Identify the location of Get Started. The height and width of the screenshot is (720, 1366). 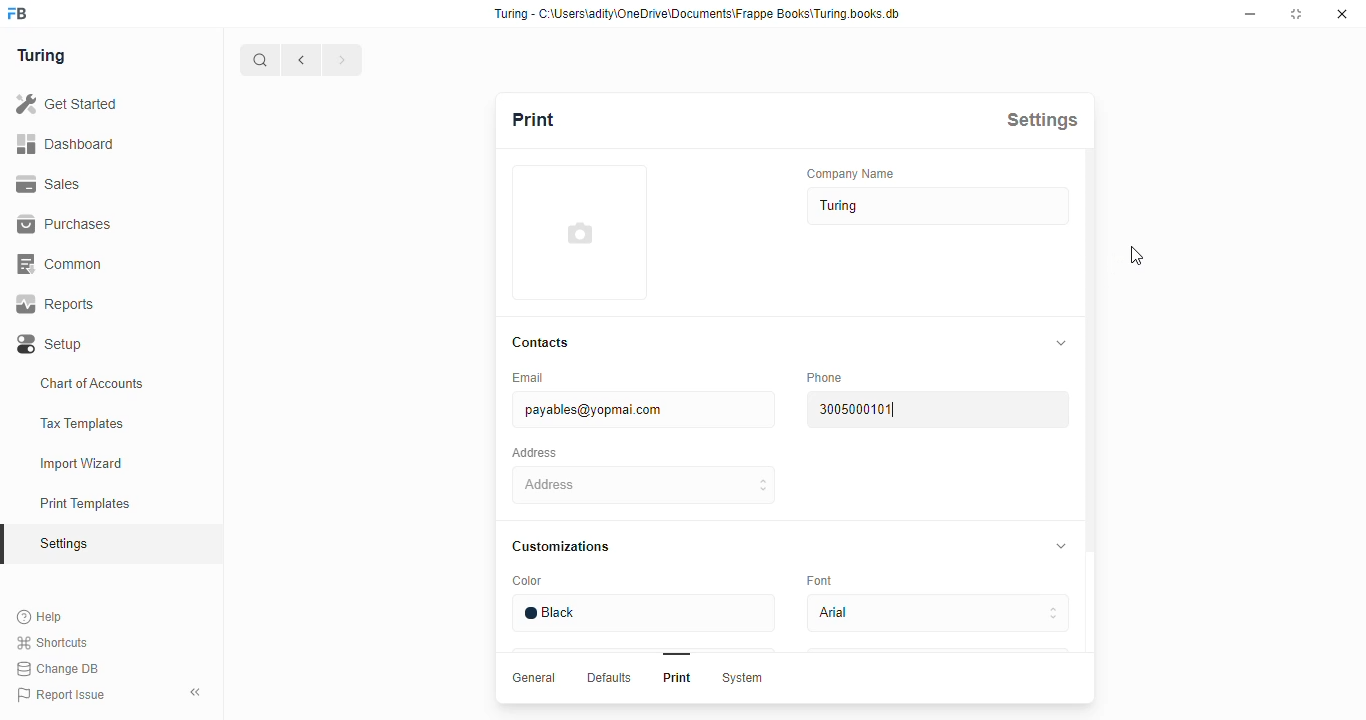
(91, 102).